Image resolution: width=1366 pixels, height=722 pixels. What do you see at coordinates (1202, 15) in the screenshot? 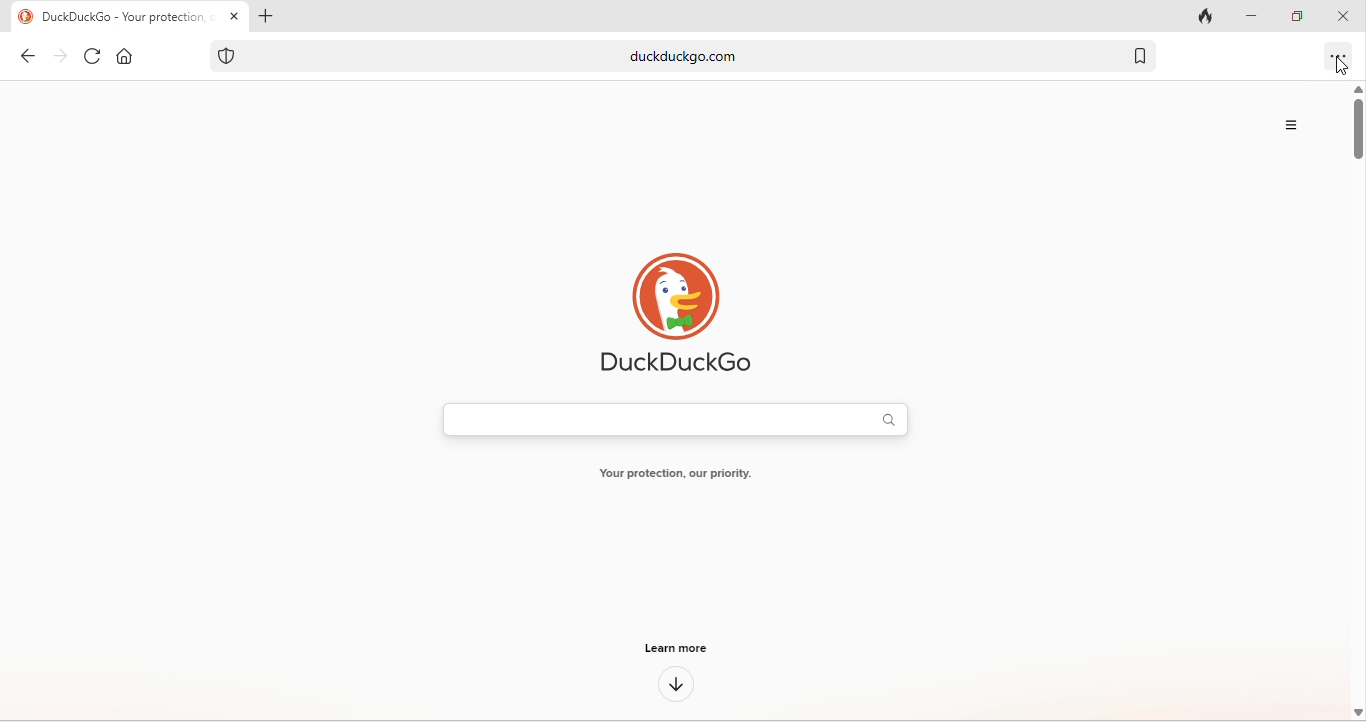
I see `close tab and clear data` at bounding box center [1202, 15].